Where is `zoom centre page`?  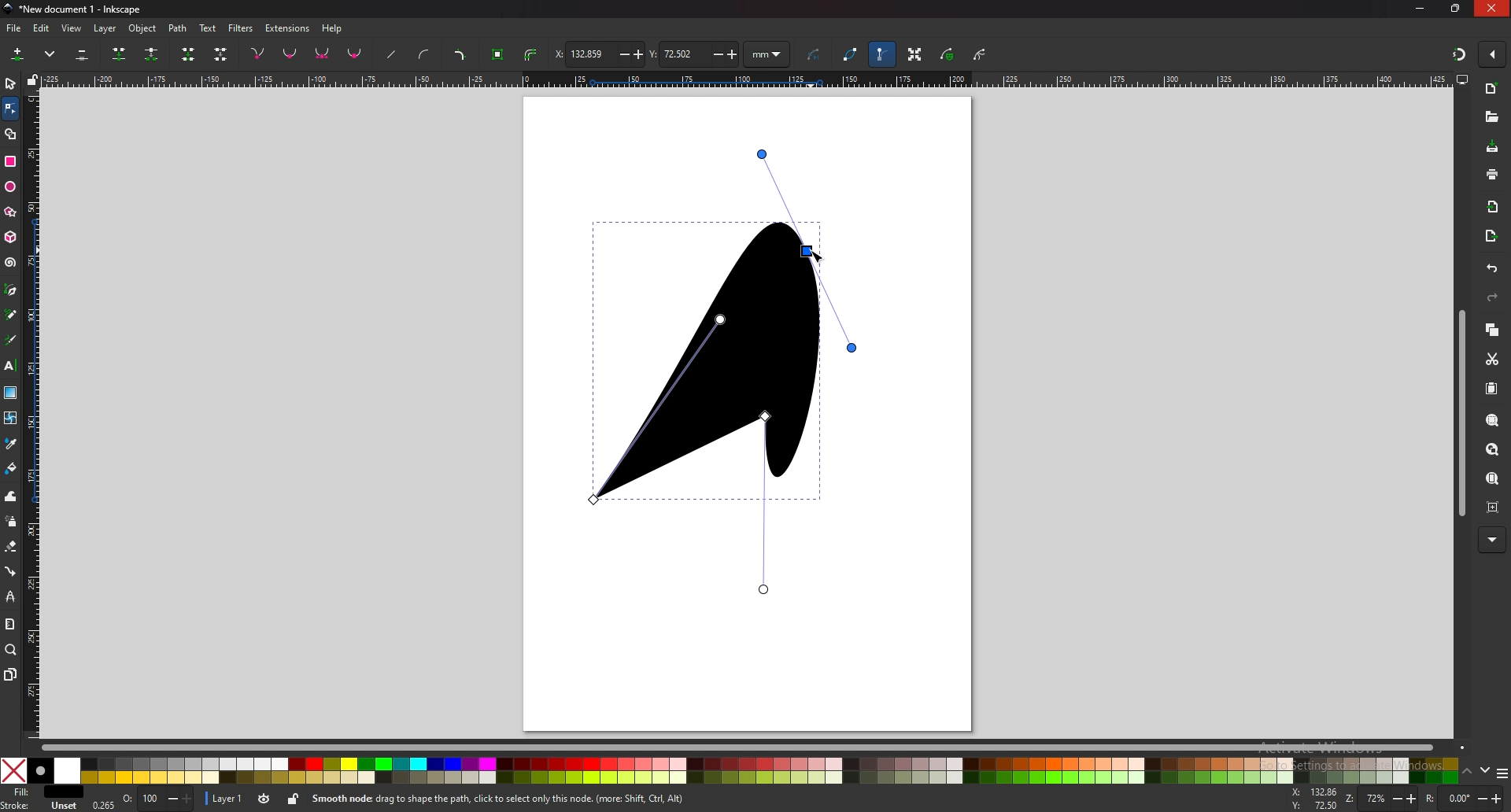
zoom centre page is located at coordinates (1494, 508).